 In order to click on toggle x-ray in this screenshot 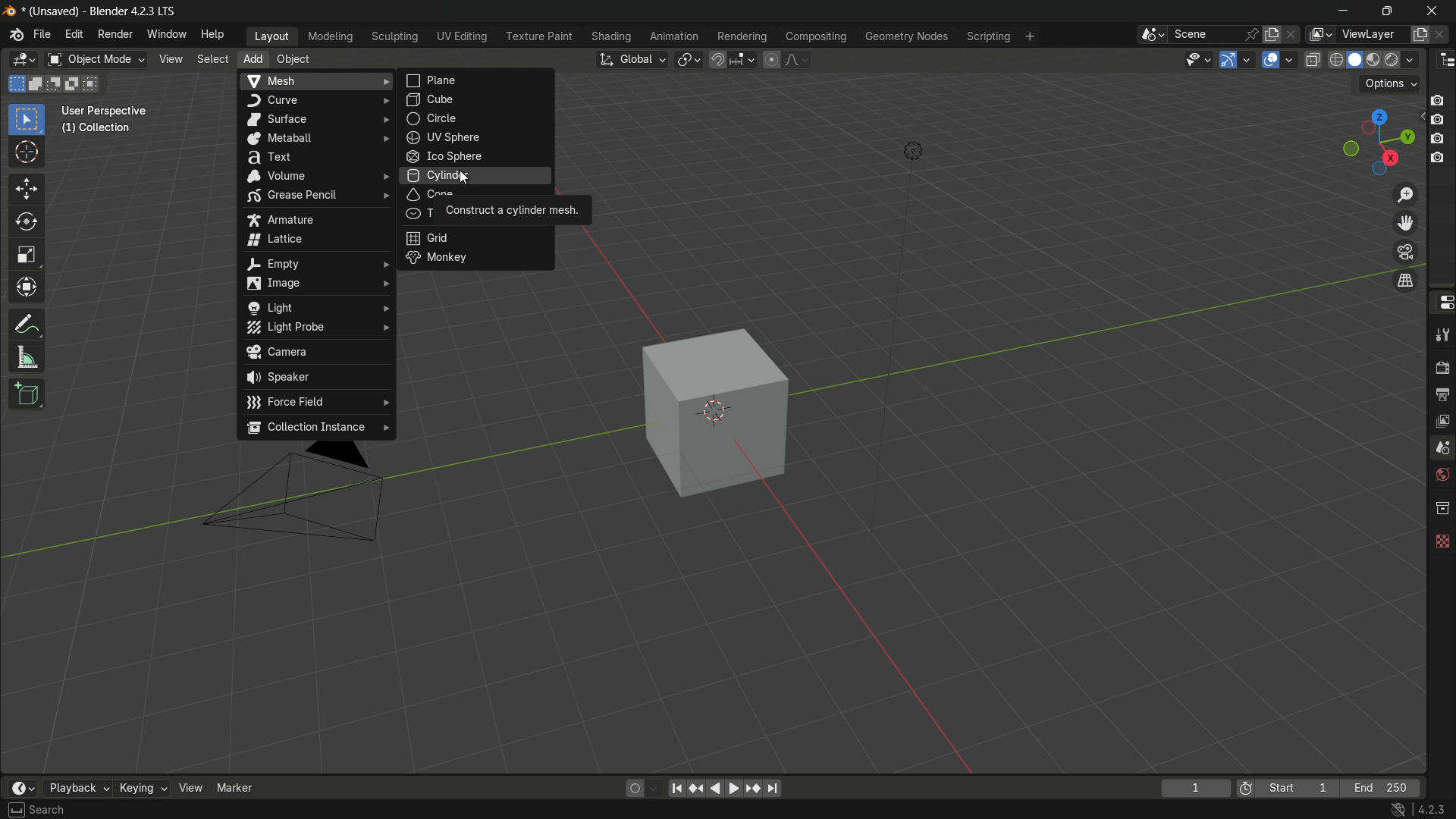, I will do `click(1313, 59)`.